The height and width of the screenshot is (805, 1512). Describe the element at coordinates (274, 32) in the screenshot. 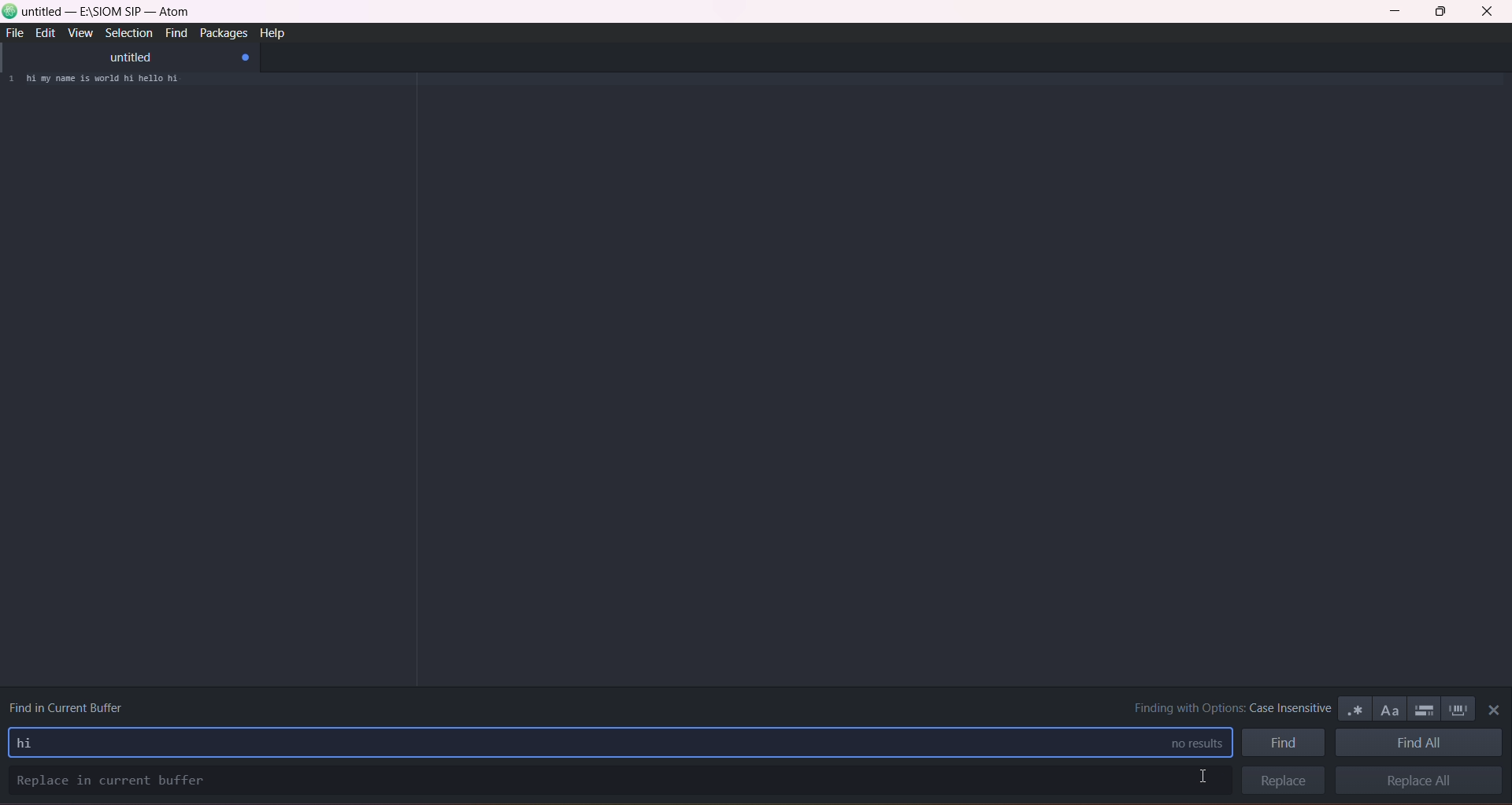

I see `help` at that location.